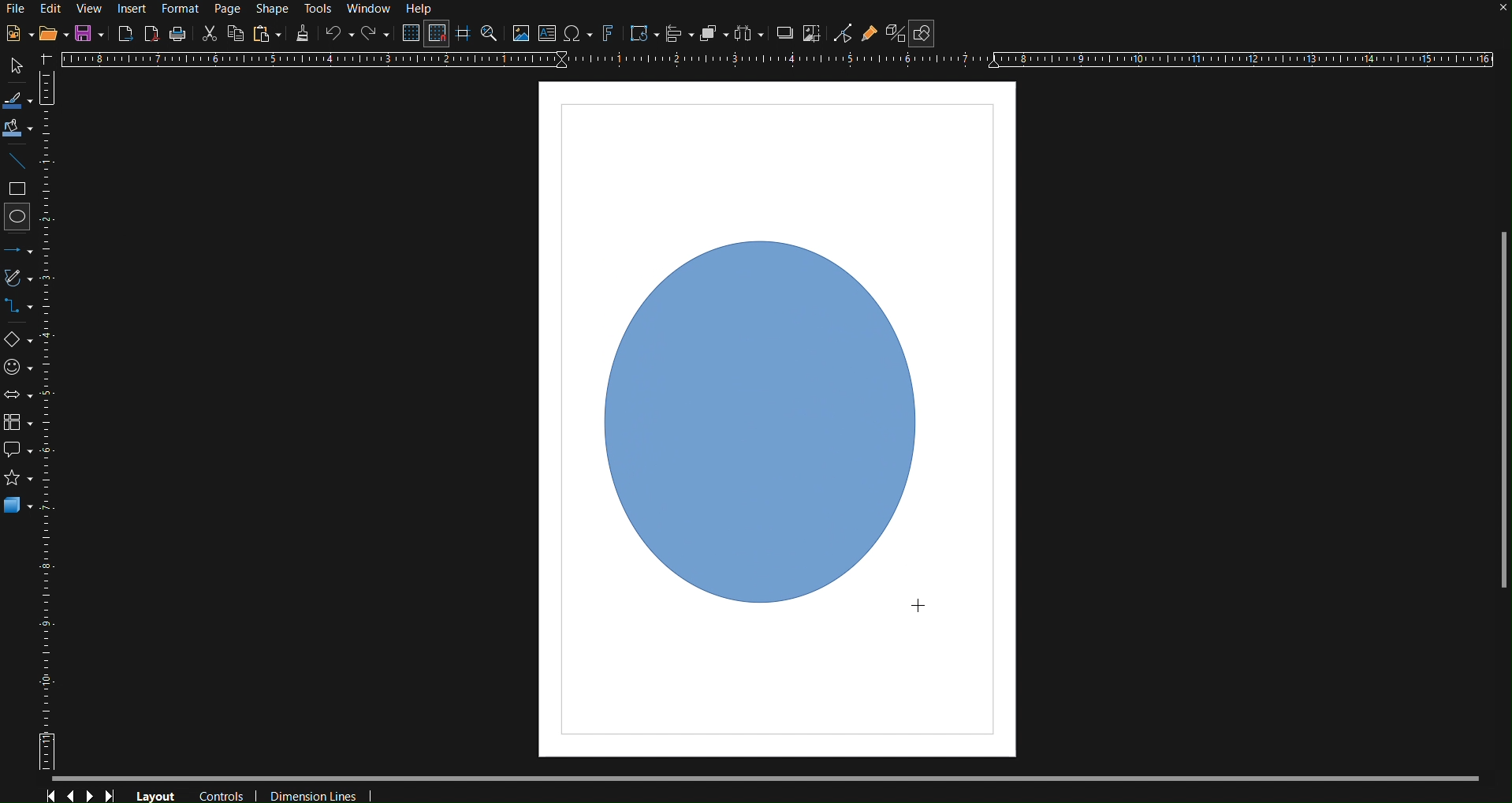 The height and width of the screenshot is (803, 1512). What do you see at coordinates (1502, 9) in the screenshot?
I see `close` at bounding box center [1502, 9].